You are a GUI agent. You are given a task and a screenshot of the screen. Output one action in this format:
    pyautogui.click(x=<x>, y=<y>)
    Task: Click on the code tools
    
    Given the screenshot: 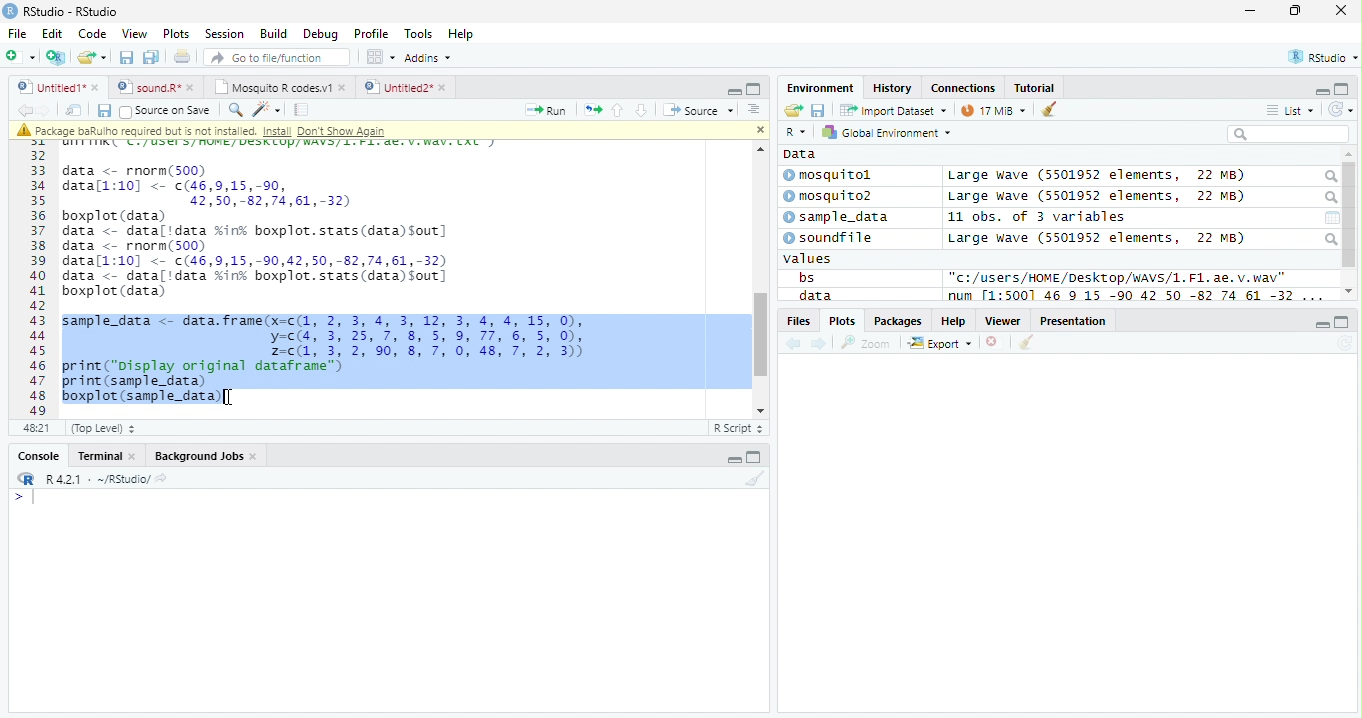 What is the action you would take?
    pyautogui.click(x=267, y=110)
    